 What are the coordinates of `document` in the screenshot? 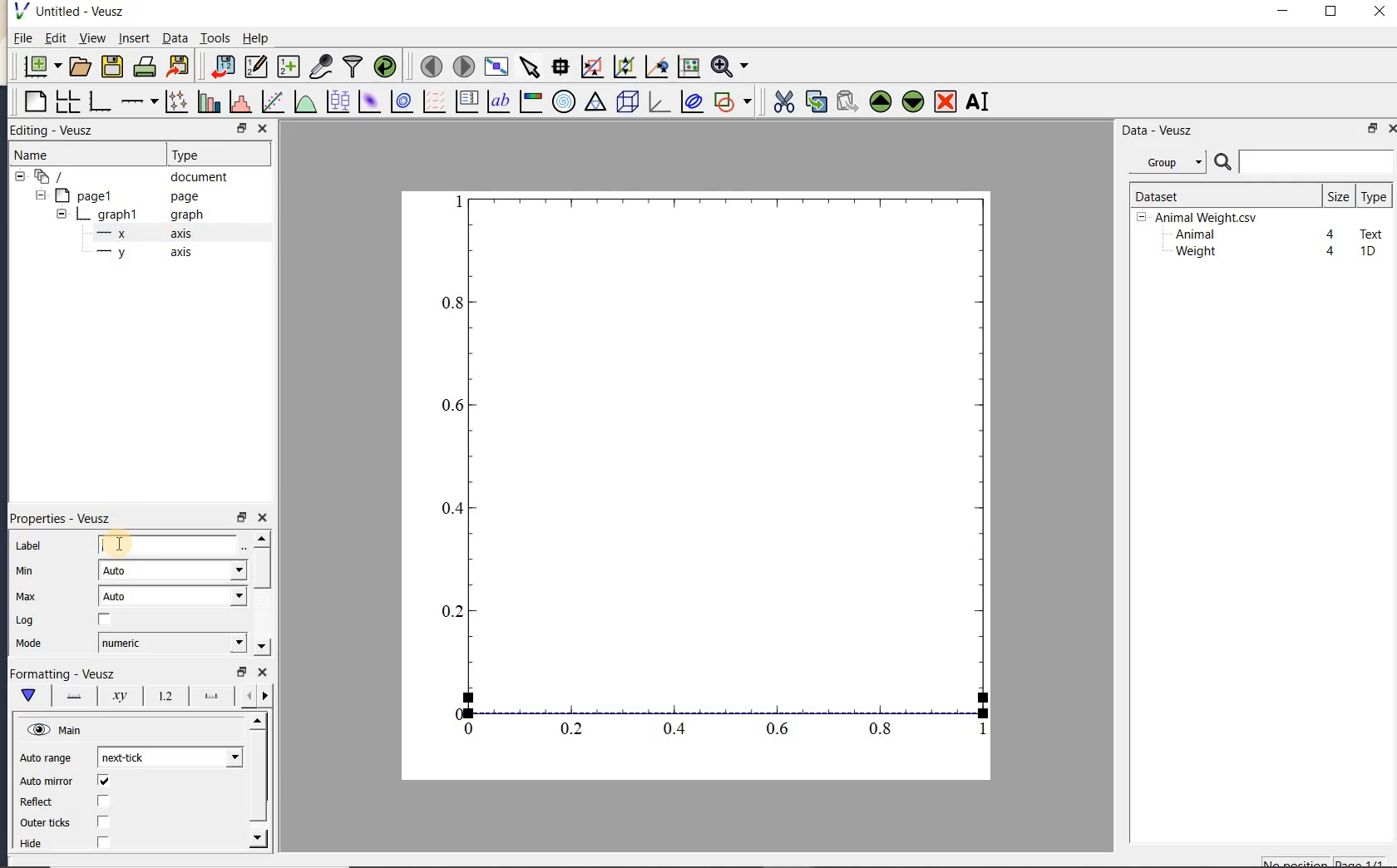 It's located at (126, 177).